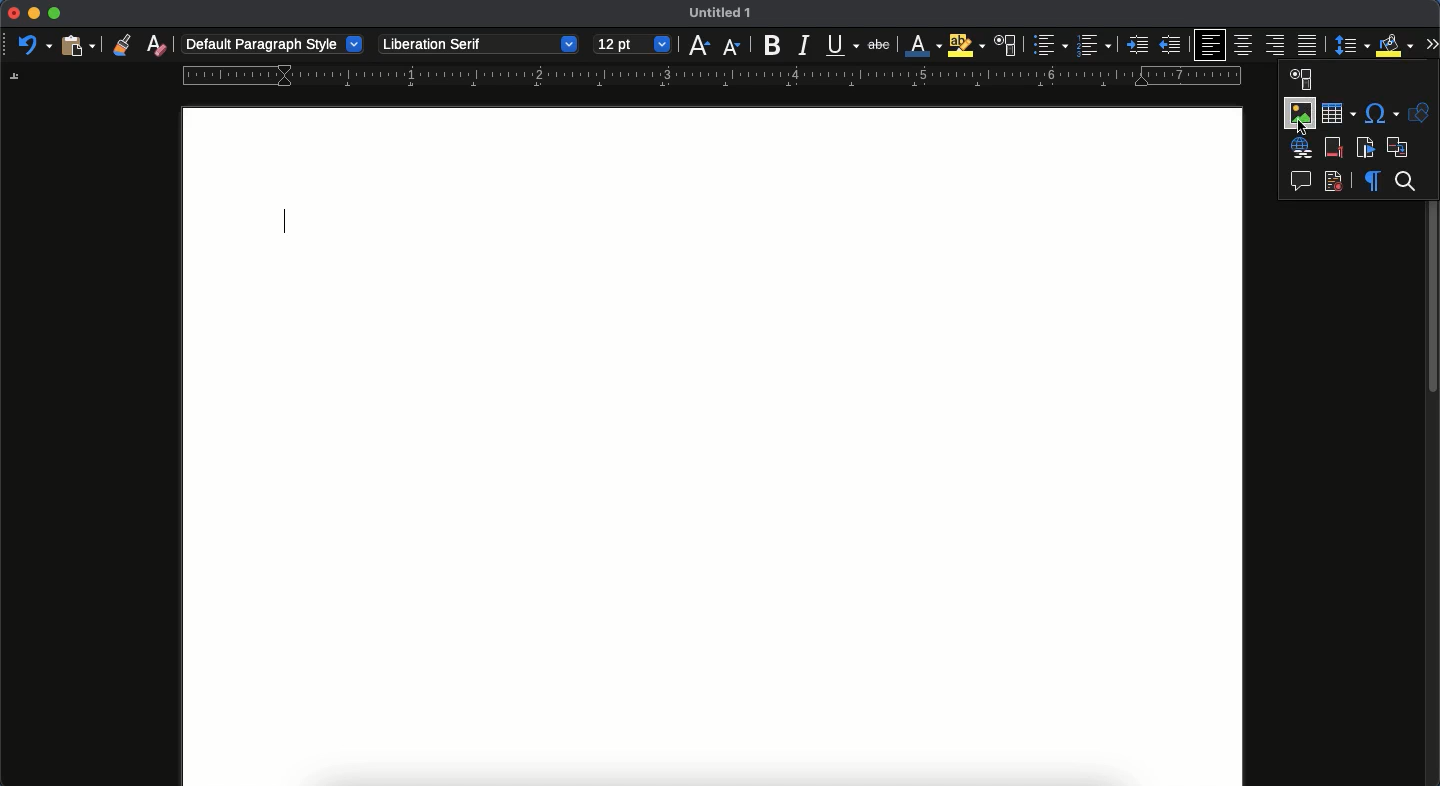 Image resolution: width=1440 pixels, height=786 pixels. What do you see at coordinates (841, 44) in the screenshot?
I see `underline` at bounding box center [841, 44].